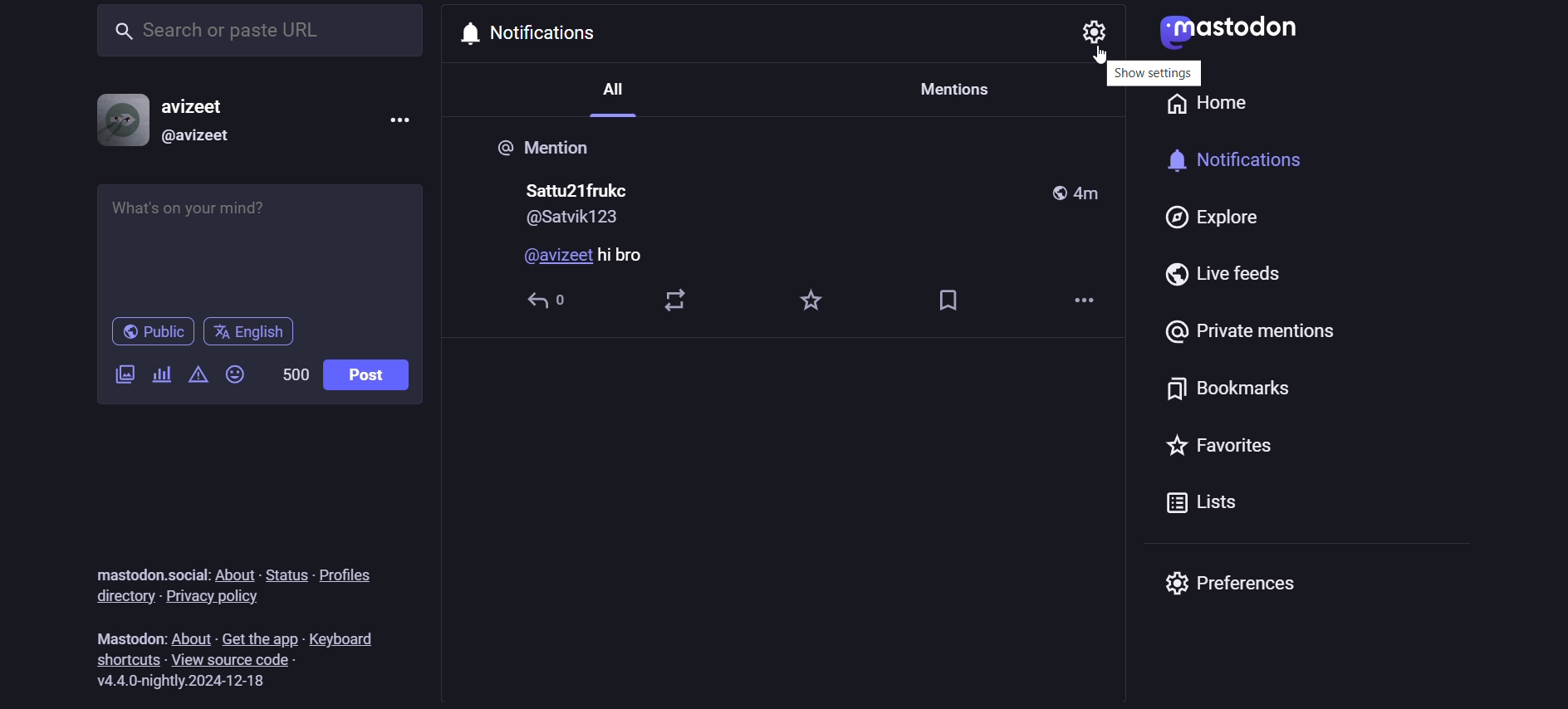 The width and height of the screenshot is (1568, 709). Describe the element at coordinates (550, 303) in the screenshot. I see `reply` at that location.